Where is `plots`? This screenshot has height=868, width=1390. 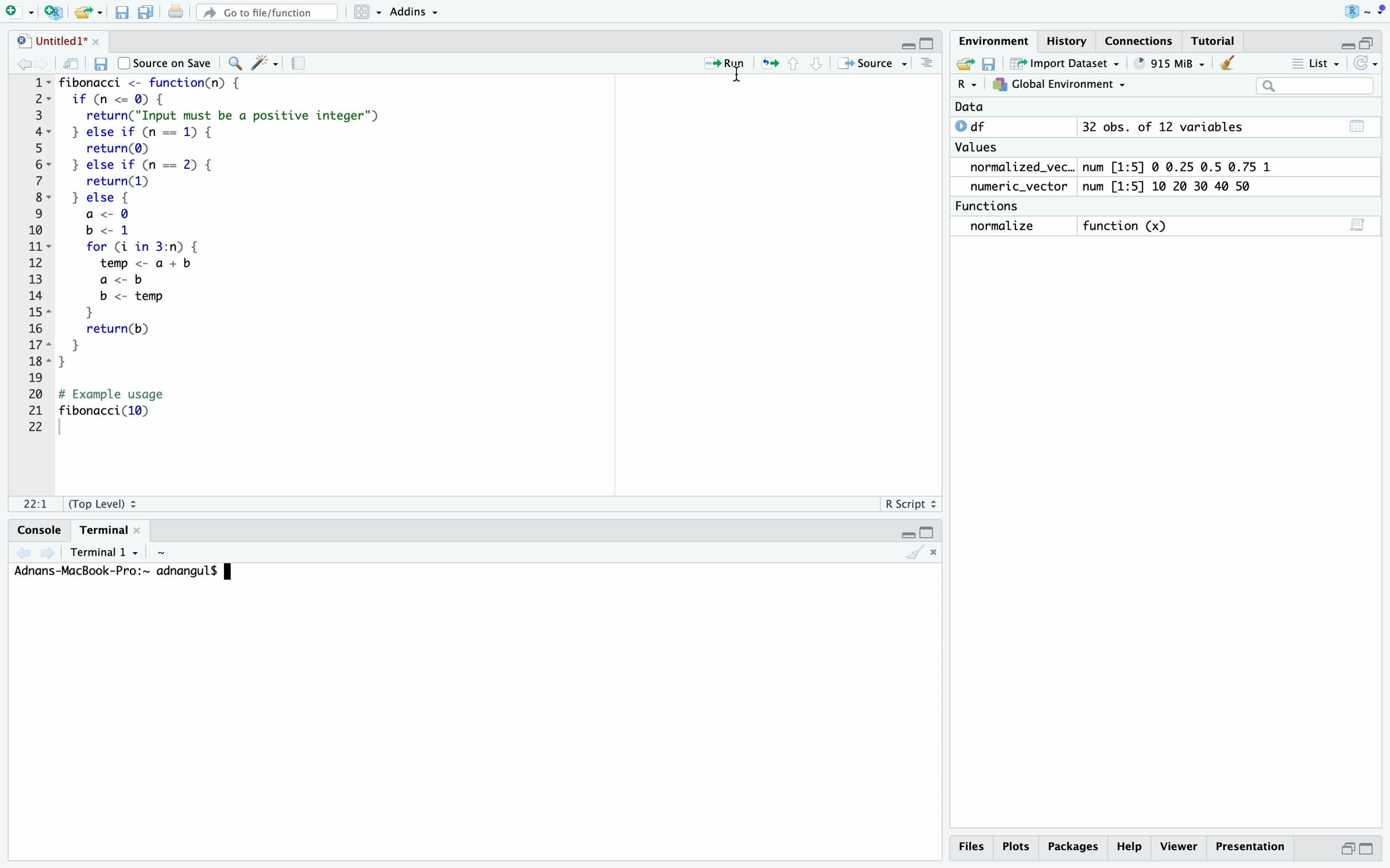 plots is located at coordinates (1016, 847).